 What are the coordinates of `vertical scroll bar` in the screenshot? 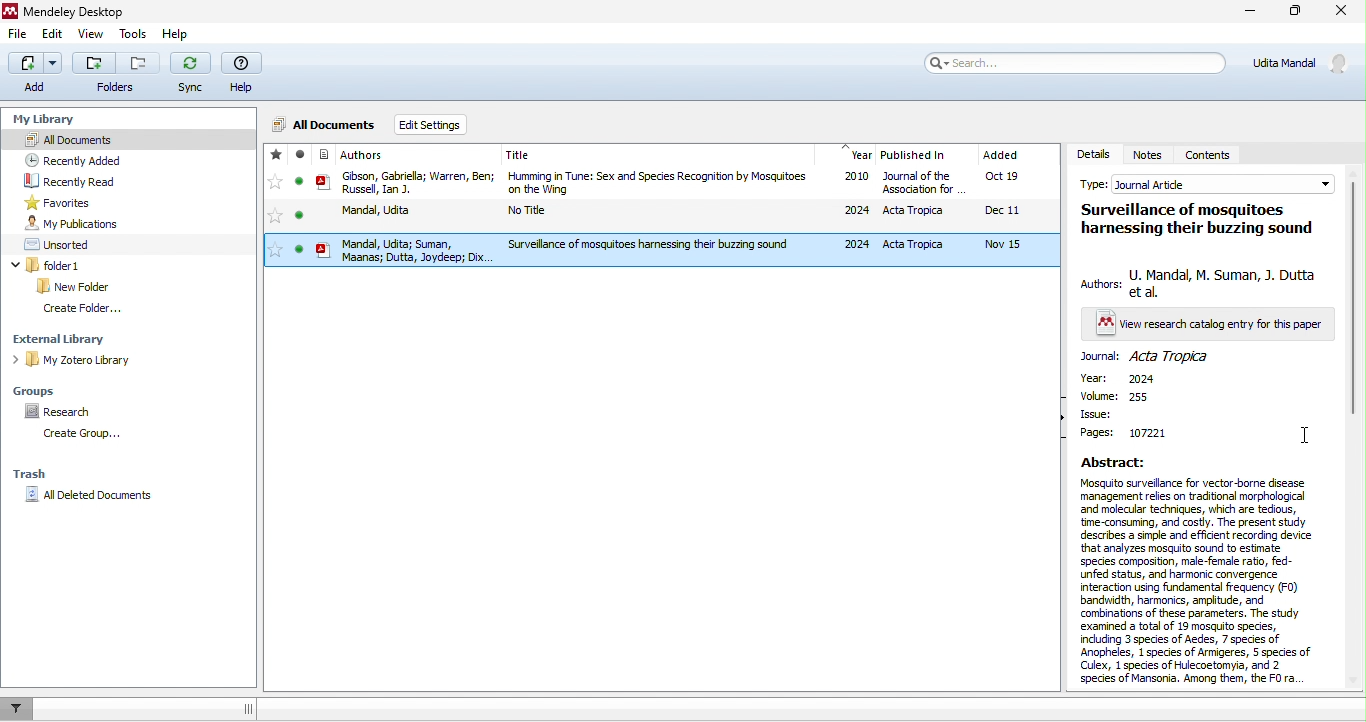 It's located at (1356, 297).